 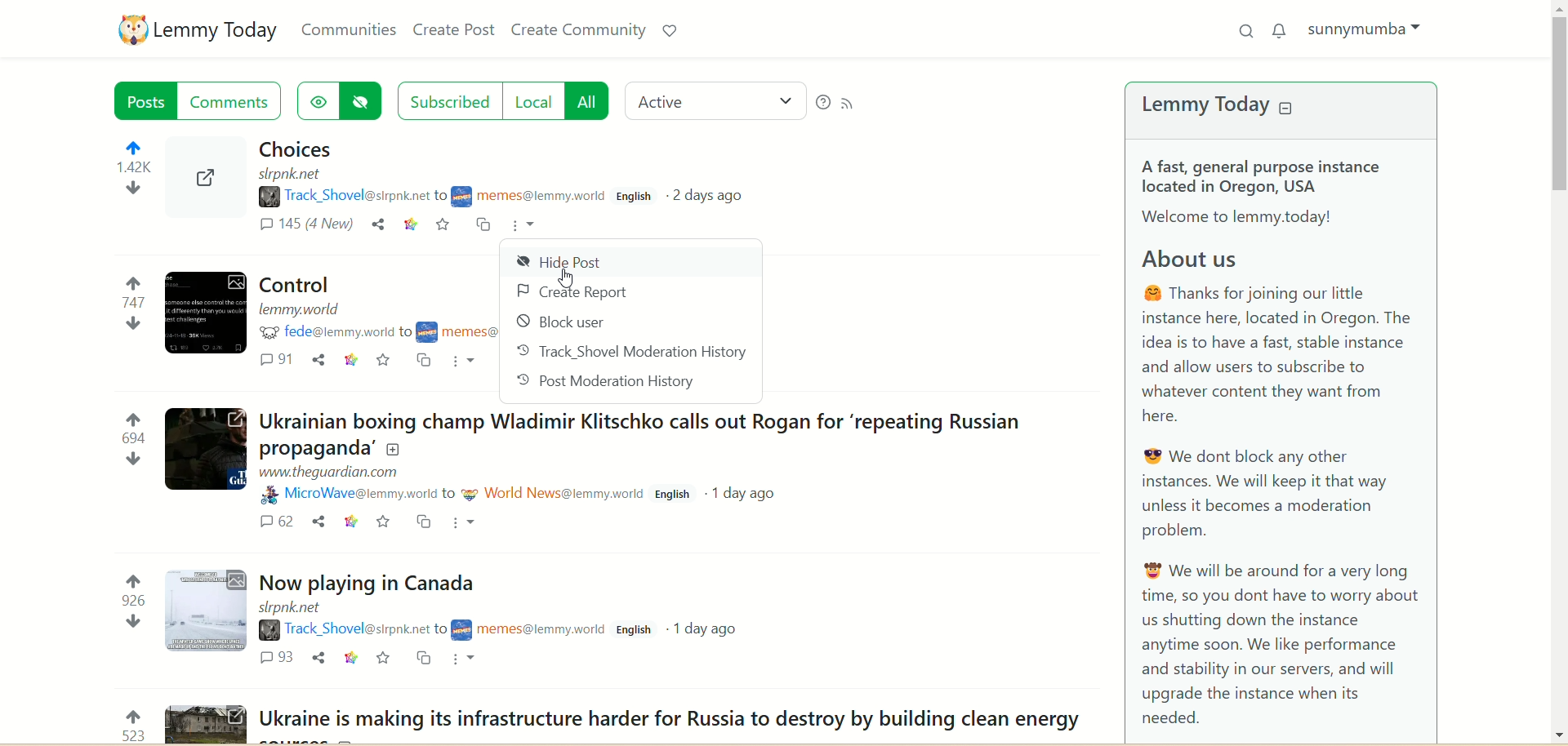 I want to click on language, so click(x=636, y=198).